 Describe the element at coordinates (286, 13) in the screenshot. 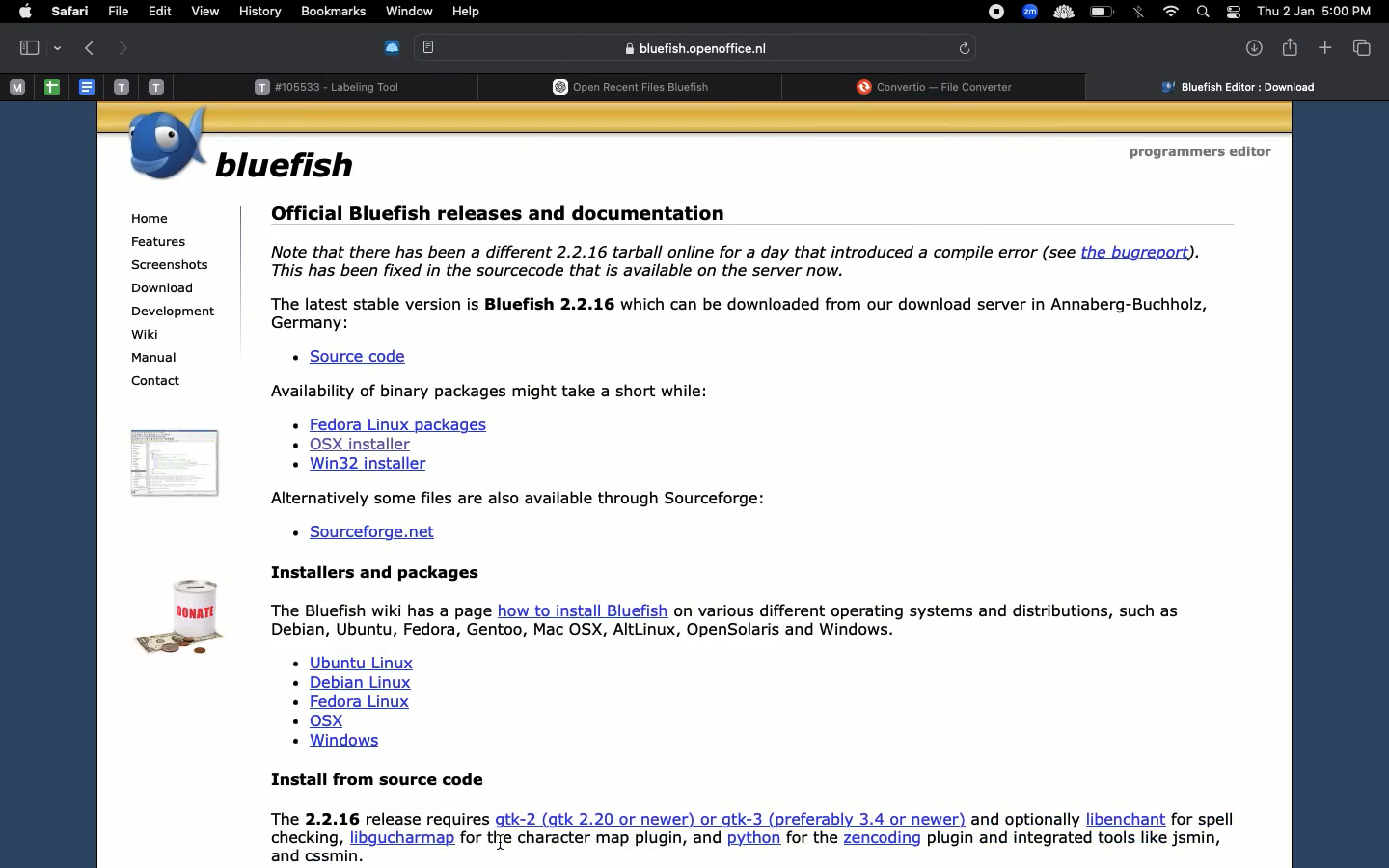

I see `document` at that location.